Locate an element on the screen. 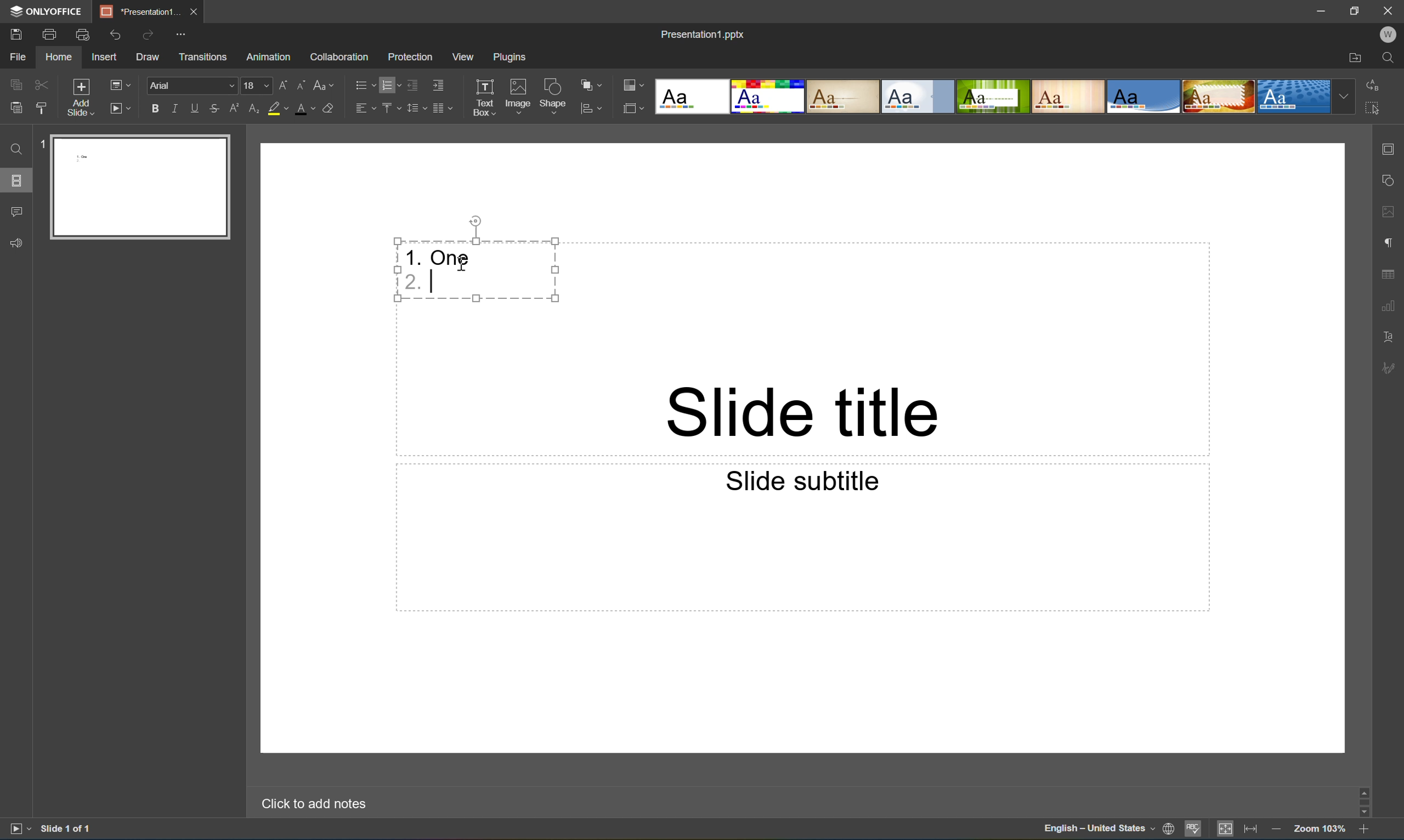 The image size is (1404, 840). Collaboration is located at coordinates (341, 58).